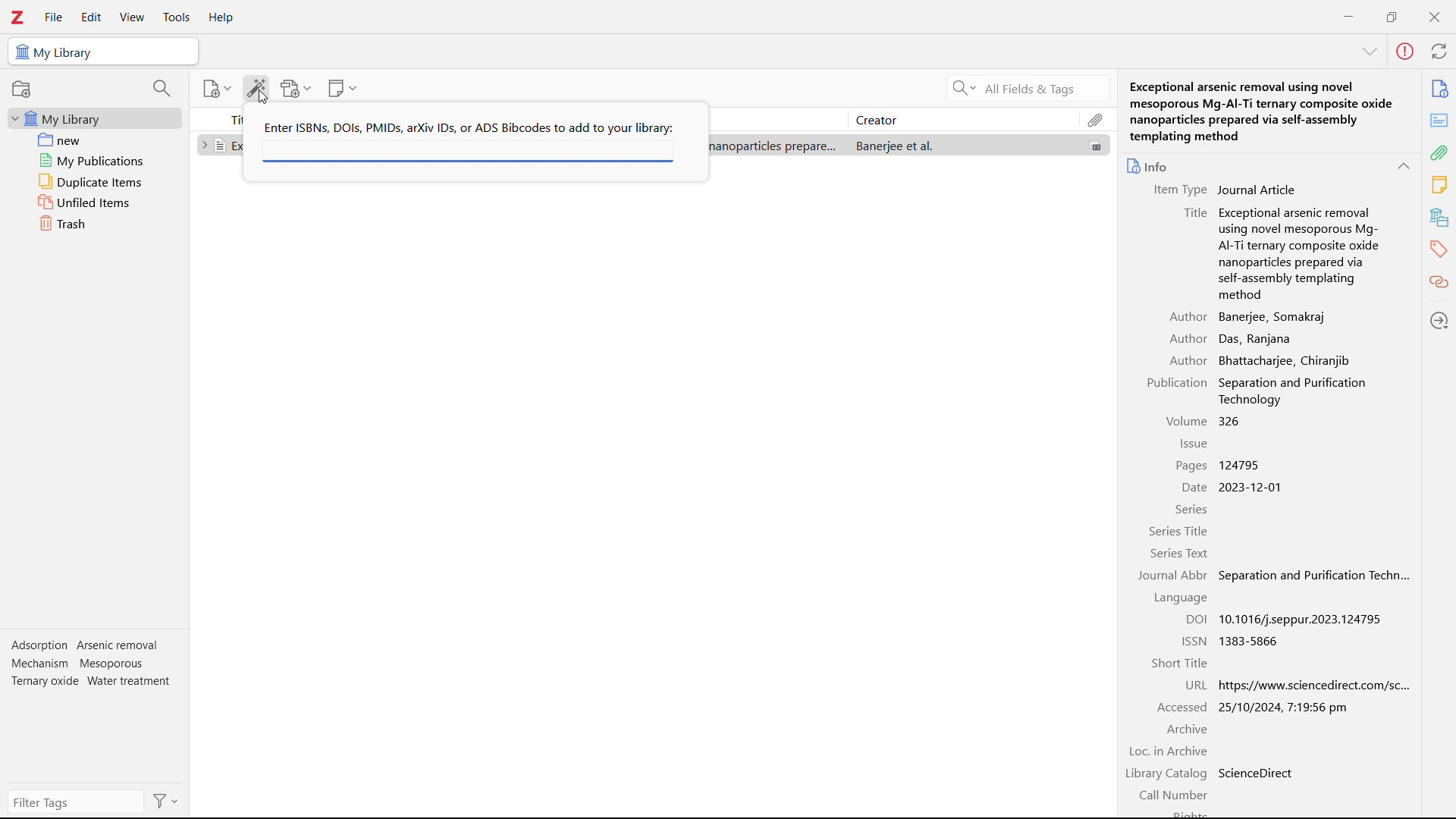  I want to click on add notes, so click(343, 89).